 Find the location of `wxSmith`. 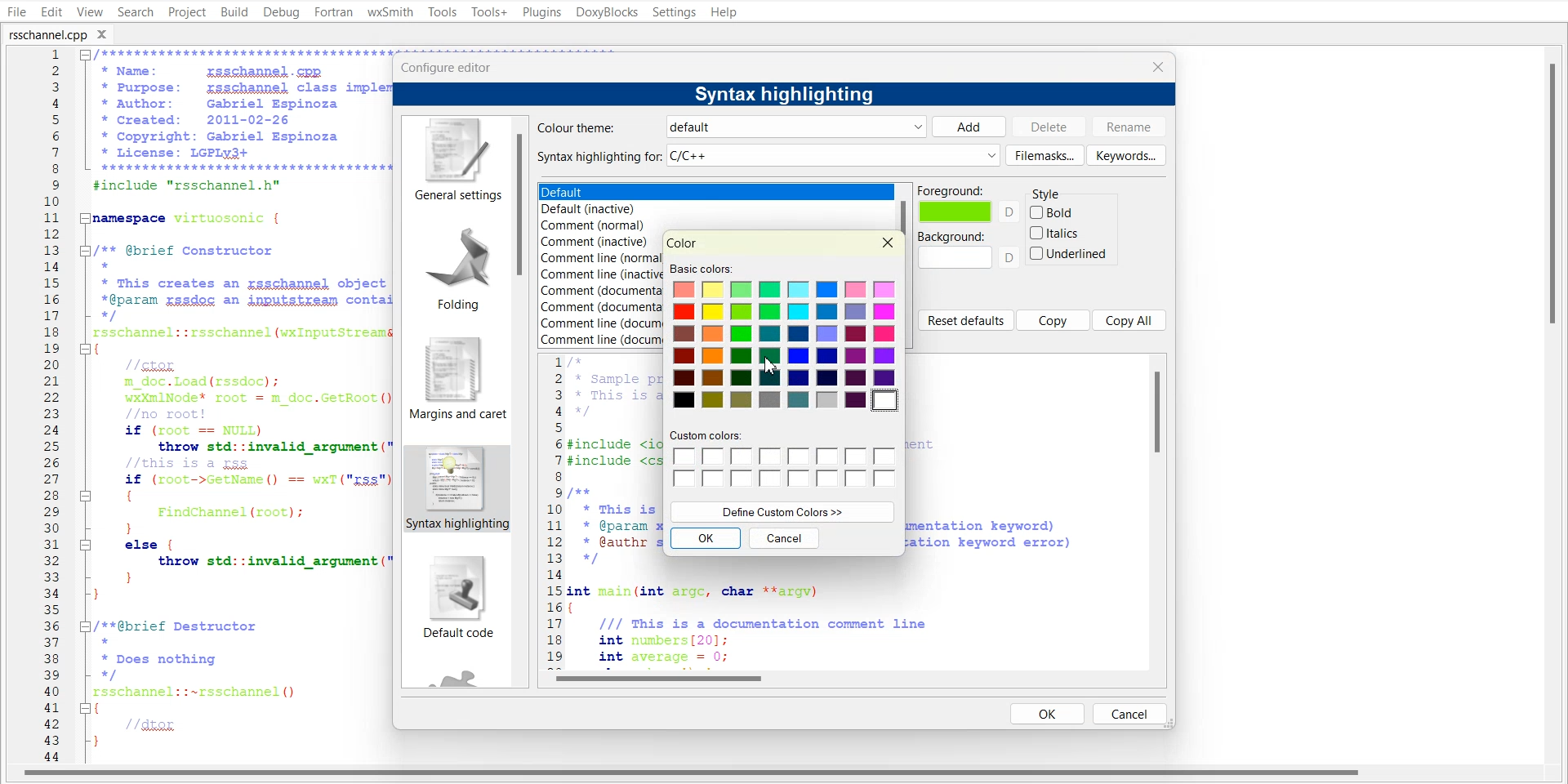

wxSmith is located at coordinates (390, 12).